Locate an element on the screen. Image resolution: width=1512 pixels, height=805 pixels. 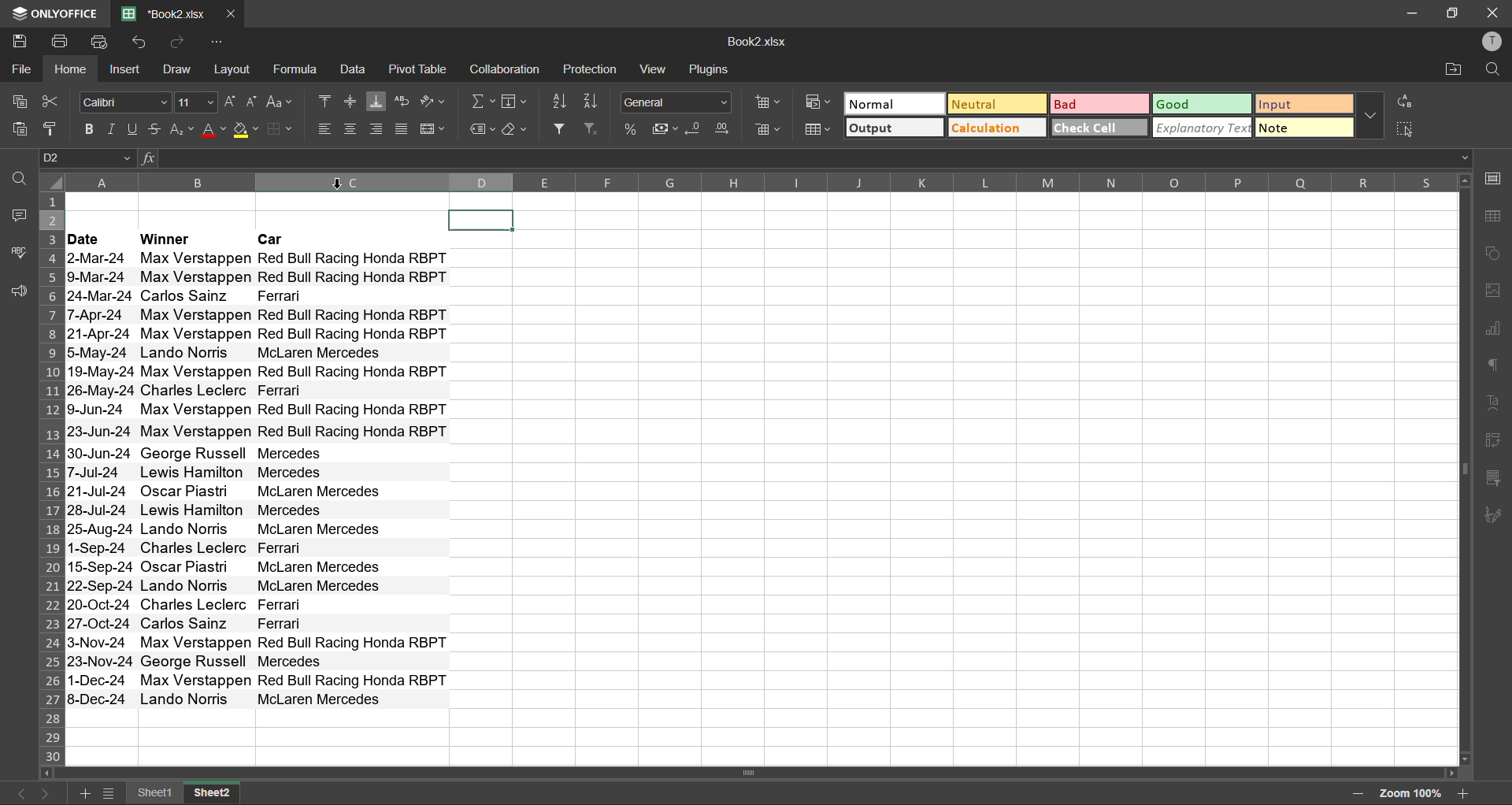
plugins is located at coordinates (709, 69).